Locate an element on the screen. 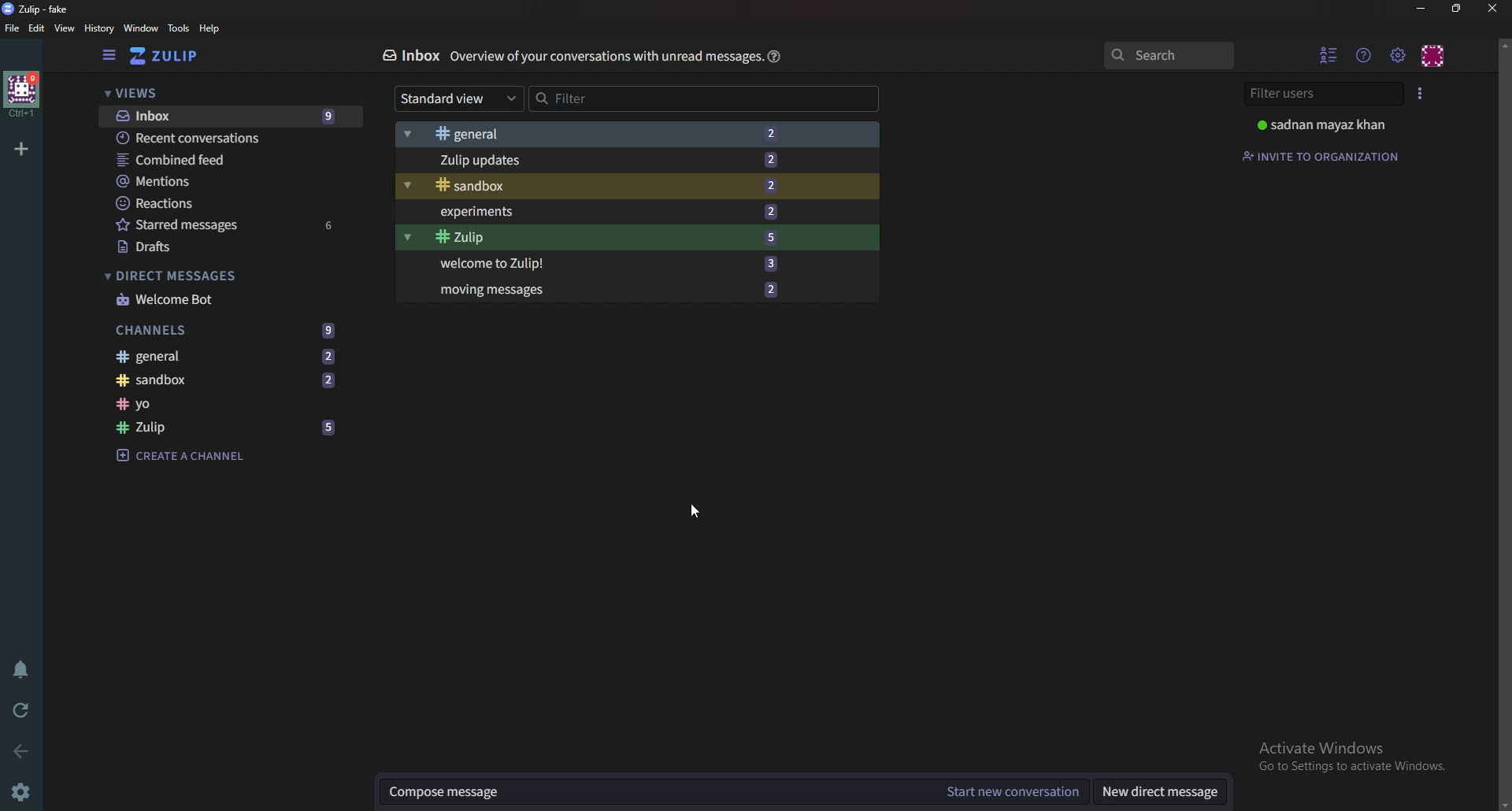  Standard view is located at coordinates (456, 100).